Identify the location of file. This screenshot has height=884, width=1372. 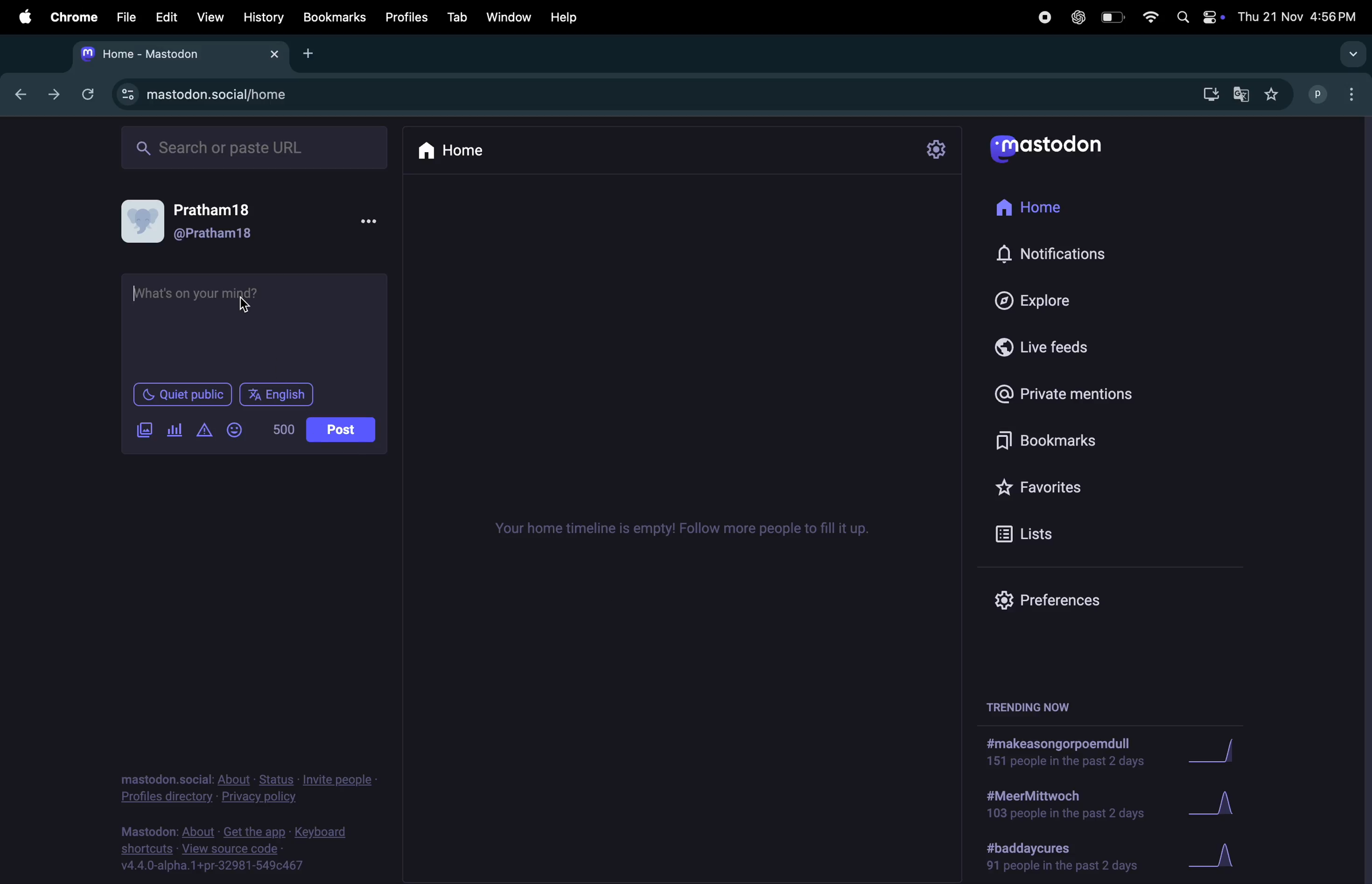
(122, 18).